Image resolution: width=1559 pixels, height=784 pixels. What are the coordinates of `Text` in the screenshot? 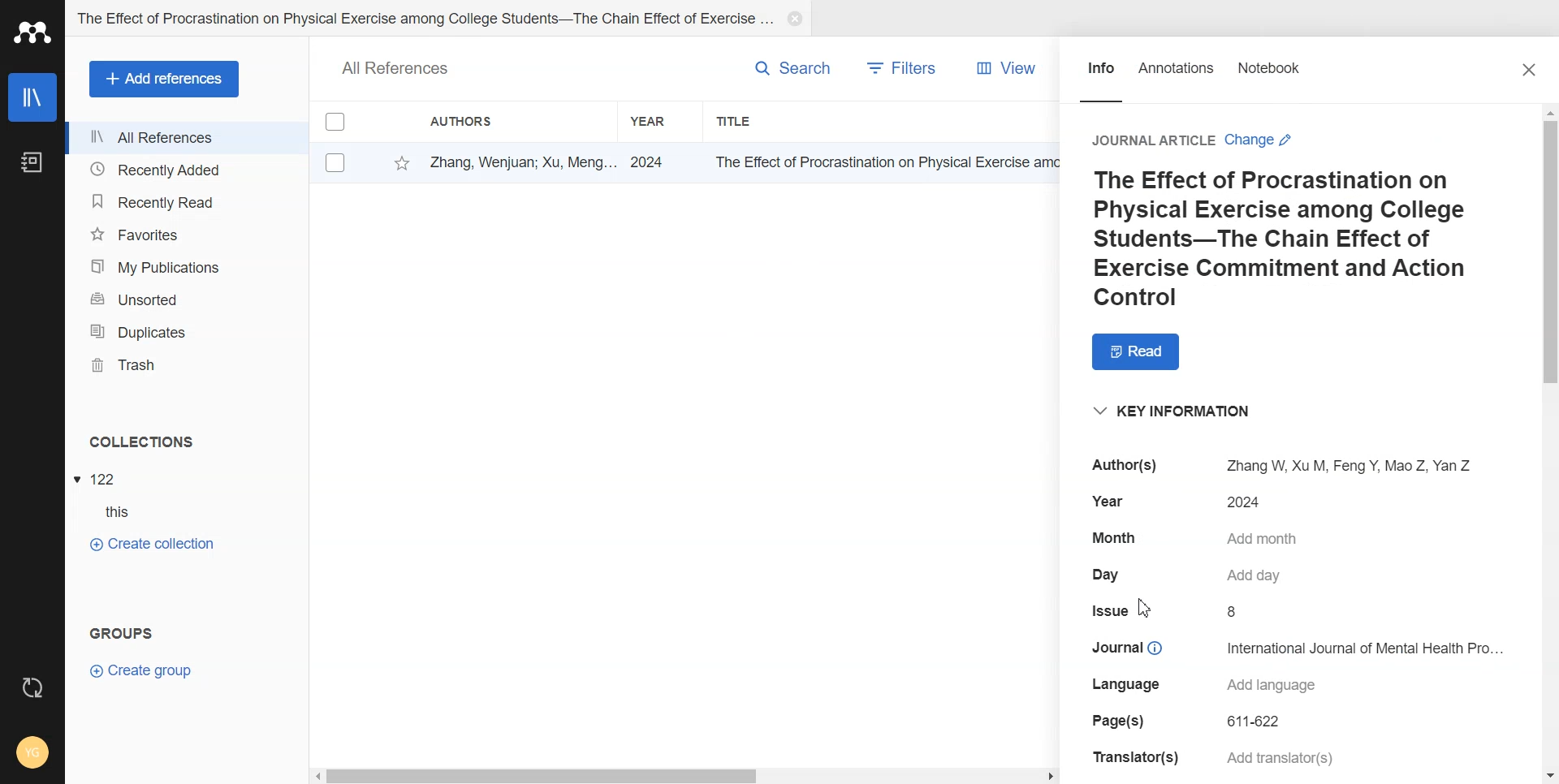 It's located at (140, 442).